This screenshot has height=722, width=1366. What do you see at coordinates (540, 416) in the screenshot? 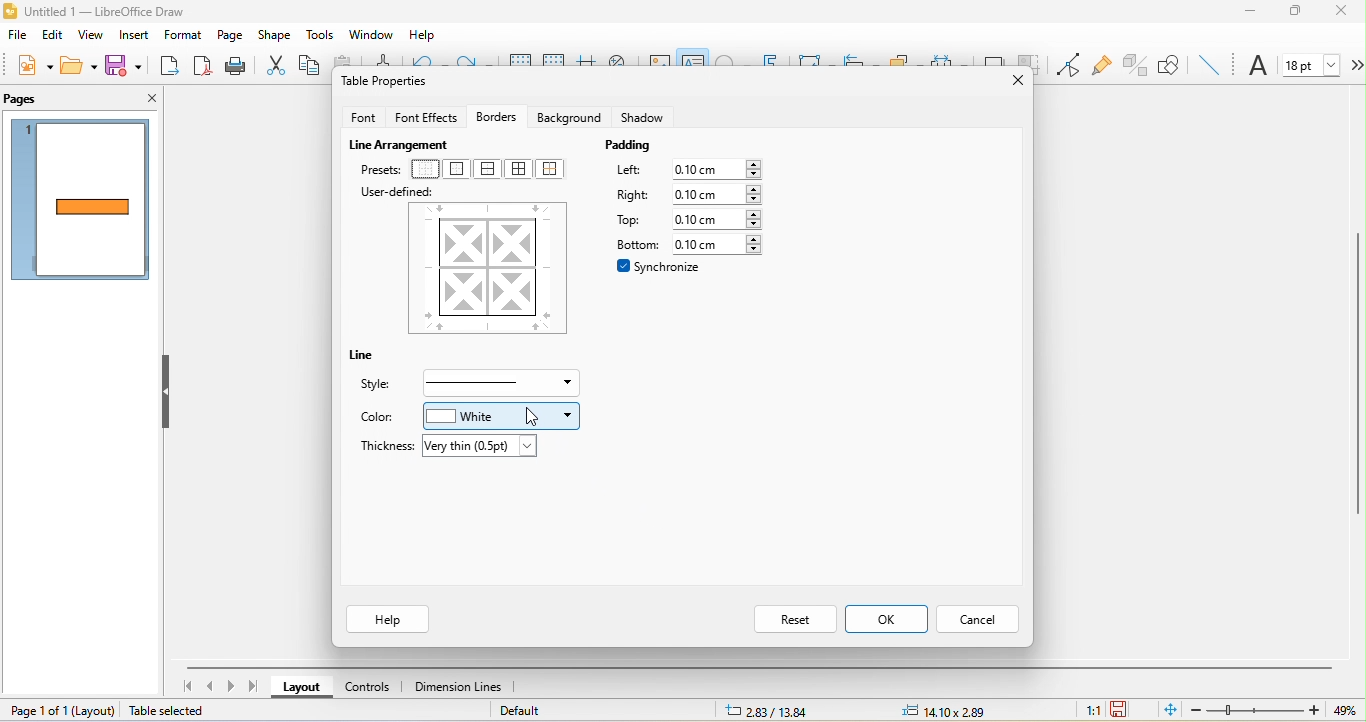
I see `cursor movement` at bounding box center [540, 416].